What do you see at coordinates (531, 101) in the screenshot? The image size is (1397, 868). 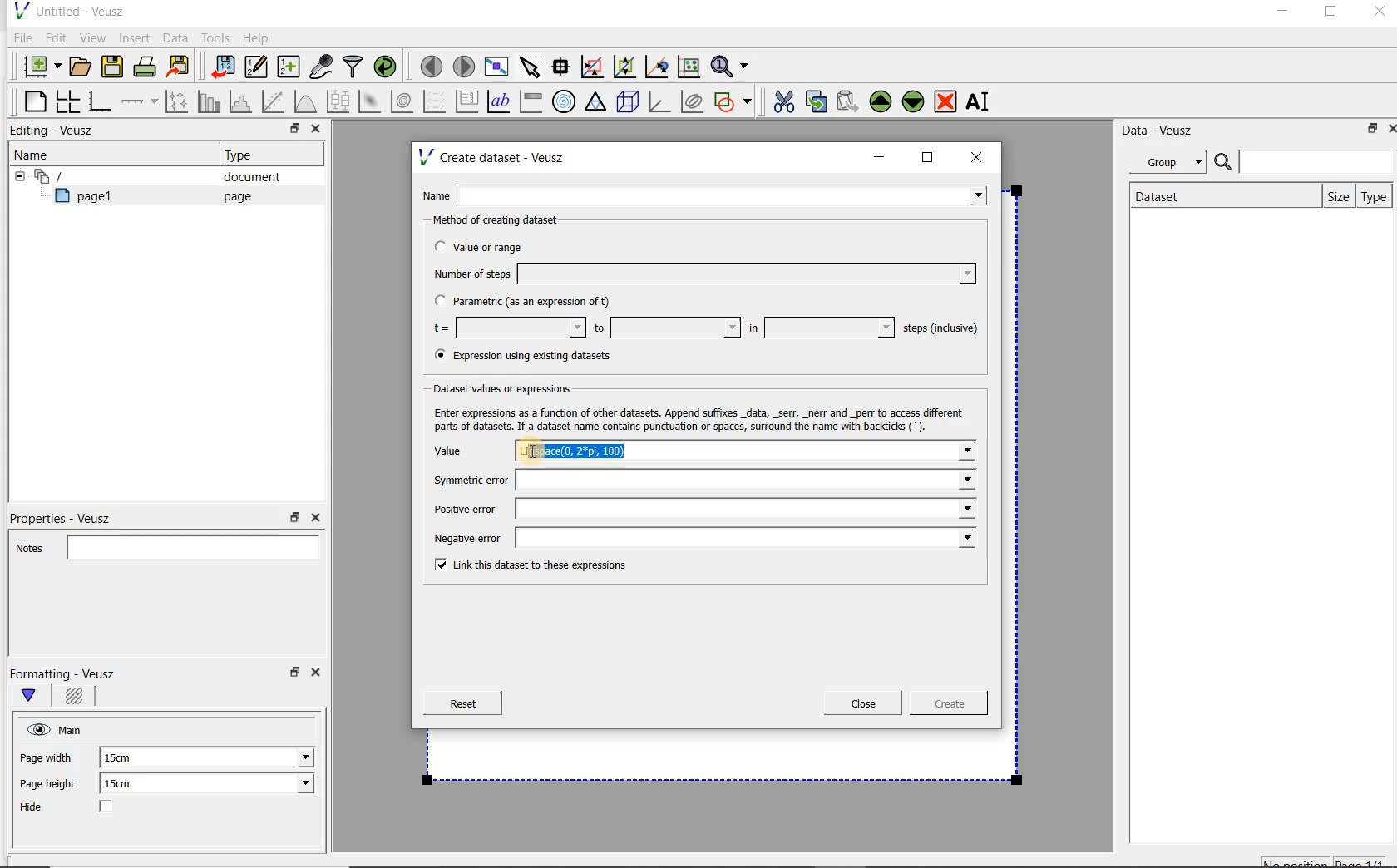 I see `image color bar` at bounding box center [531, 101].